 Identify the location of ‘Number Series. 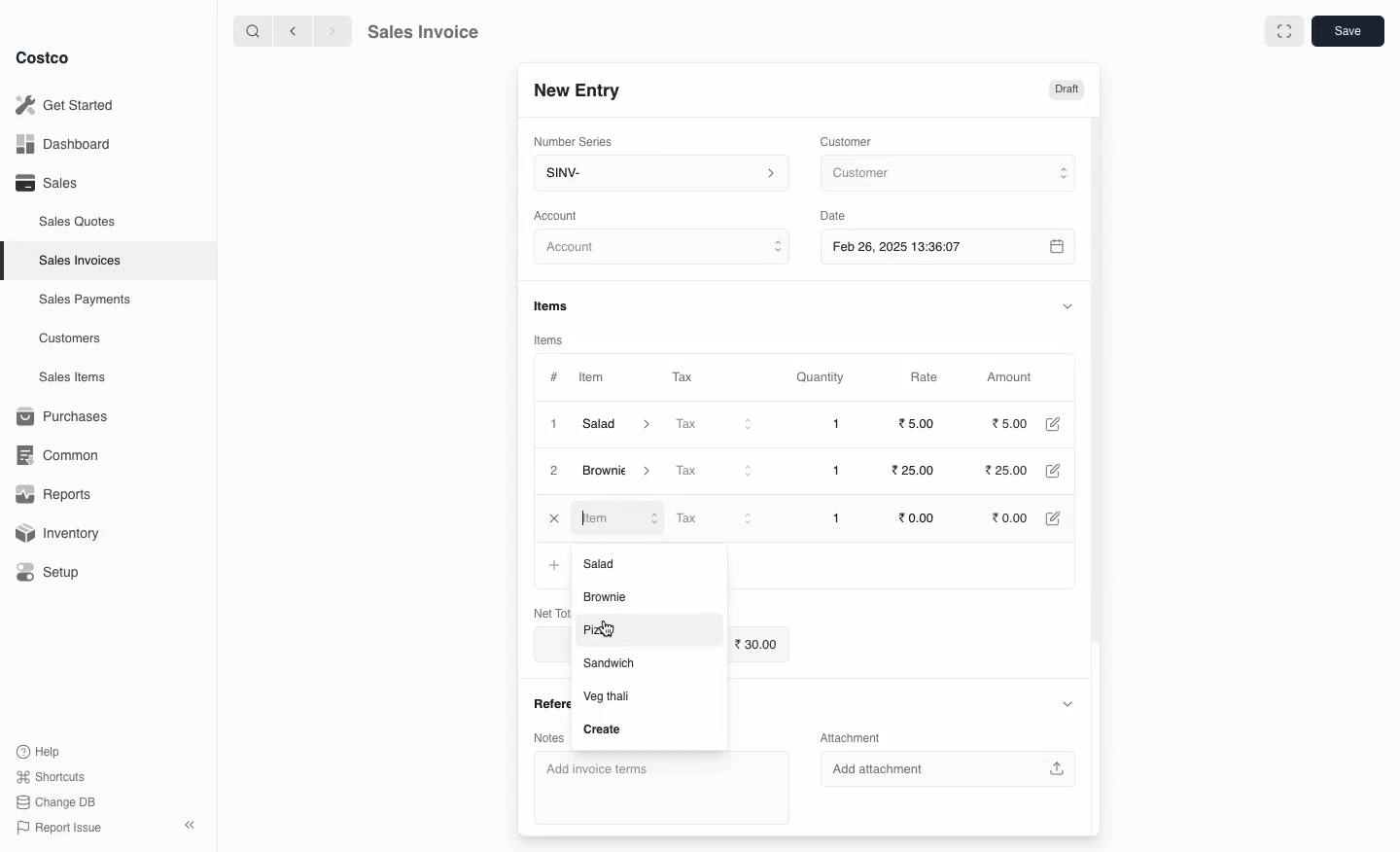
(570, 142).